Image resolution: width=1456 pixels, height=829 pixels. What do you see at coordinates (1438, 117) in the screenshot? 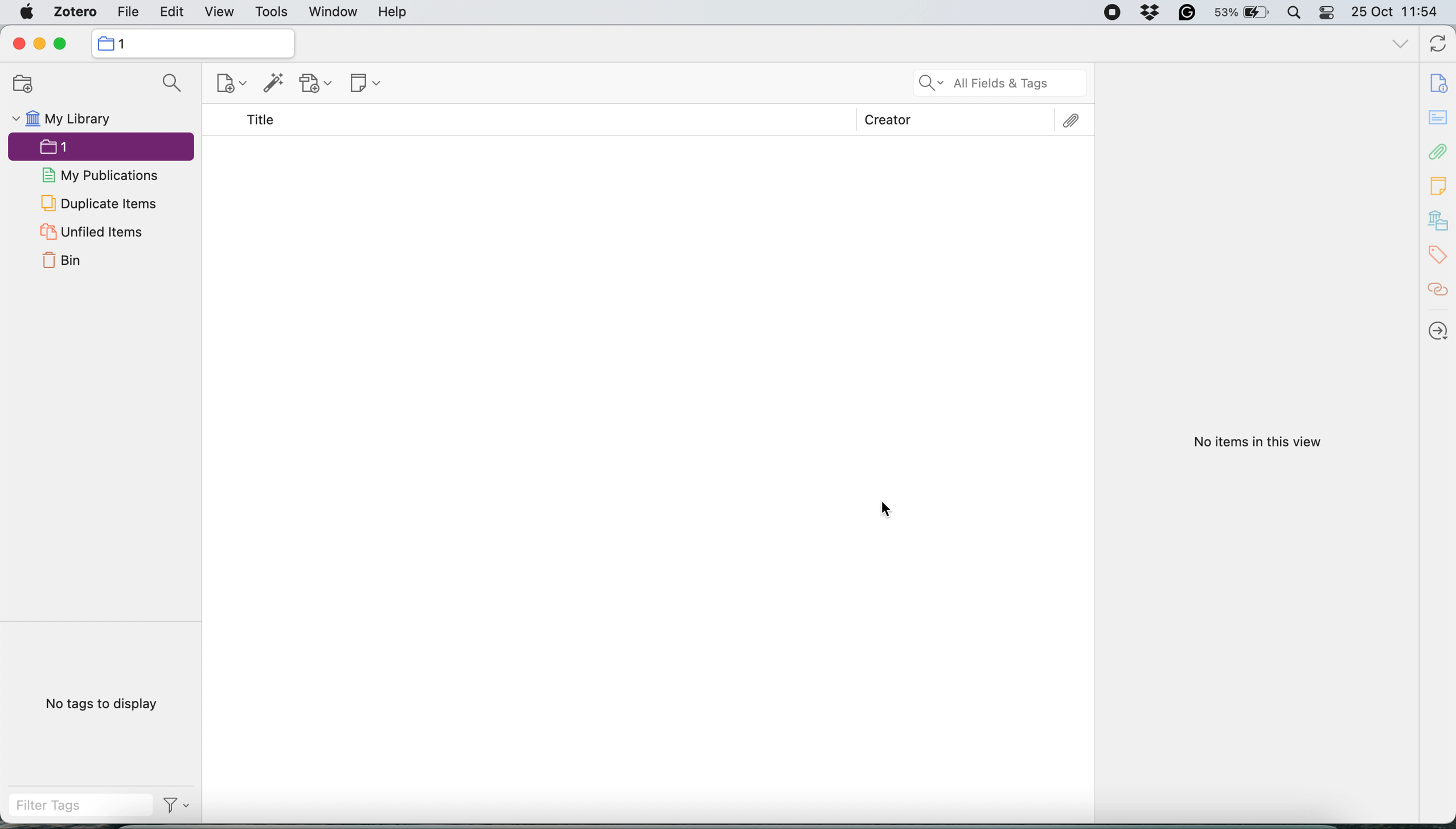
I see `notes` at bounding box center [1438, 117].